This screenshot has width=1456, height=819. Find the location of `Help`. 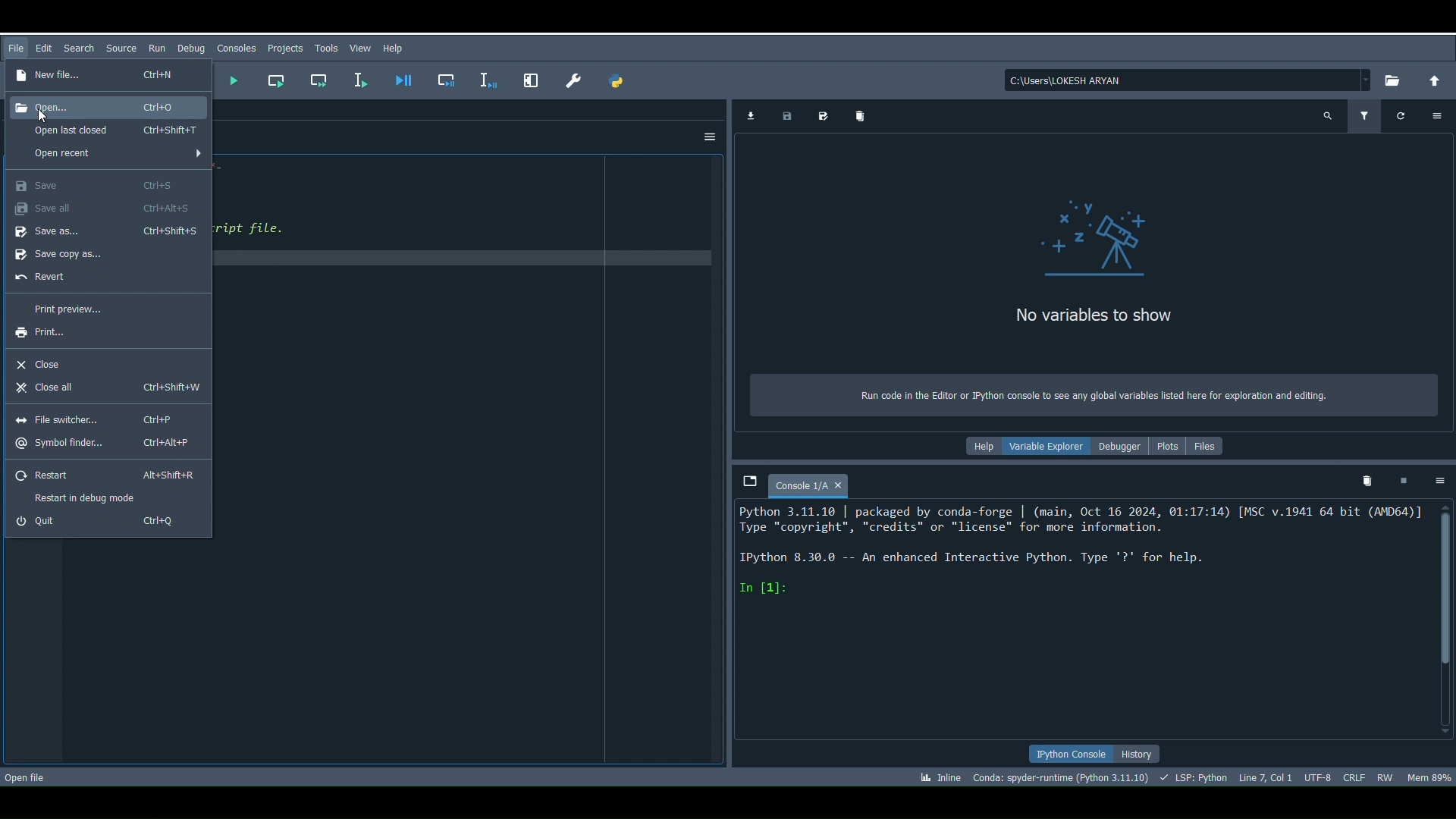

Help is located at coordinates (394, 48).